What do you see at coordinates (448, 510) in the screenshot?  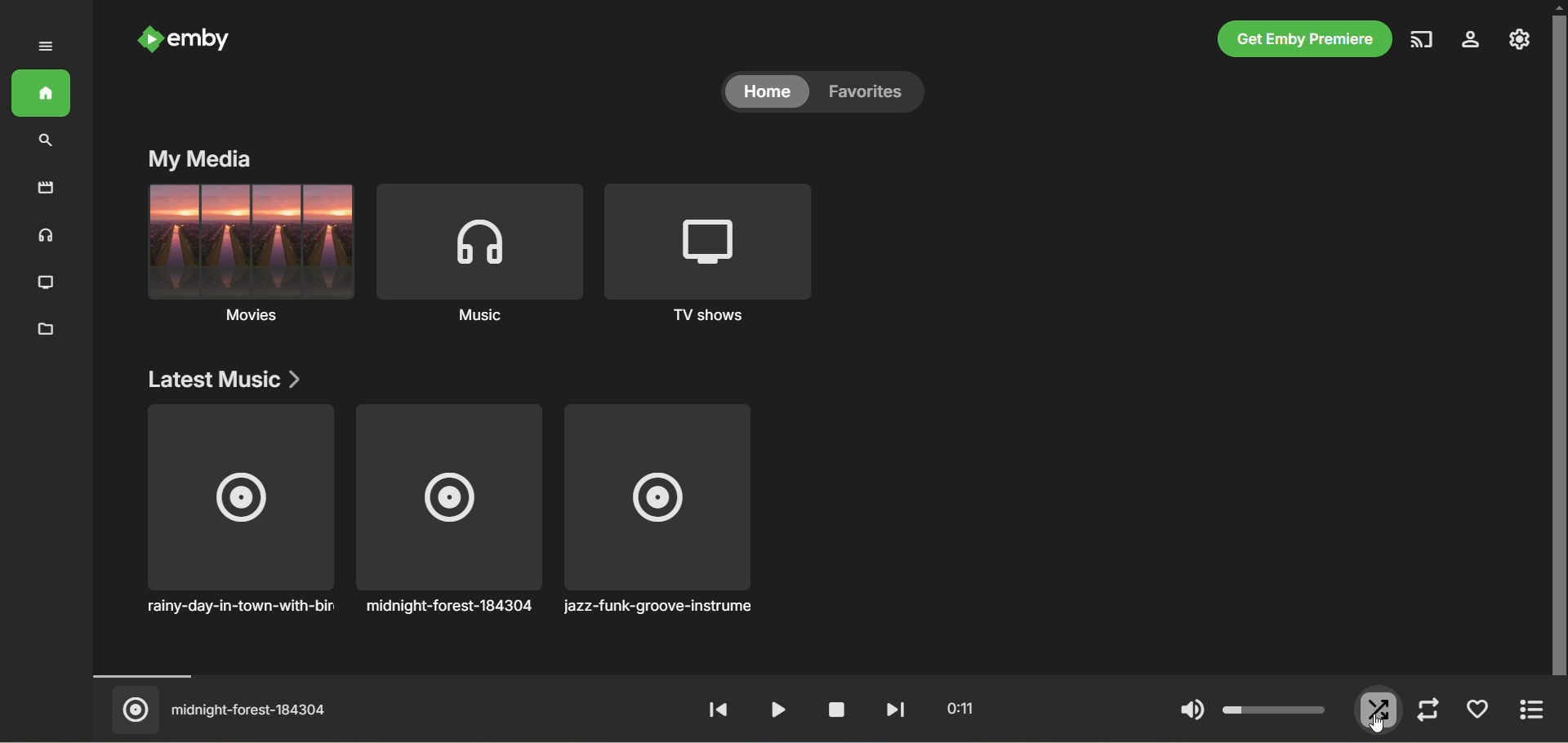 I see `midnight-forest-184304` at bounding box center [448, 510].